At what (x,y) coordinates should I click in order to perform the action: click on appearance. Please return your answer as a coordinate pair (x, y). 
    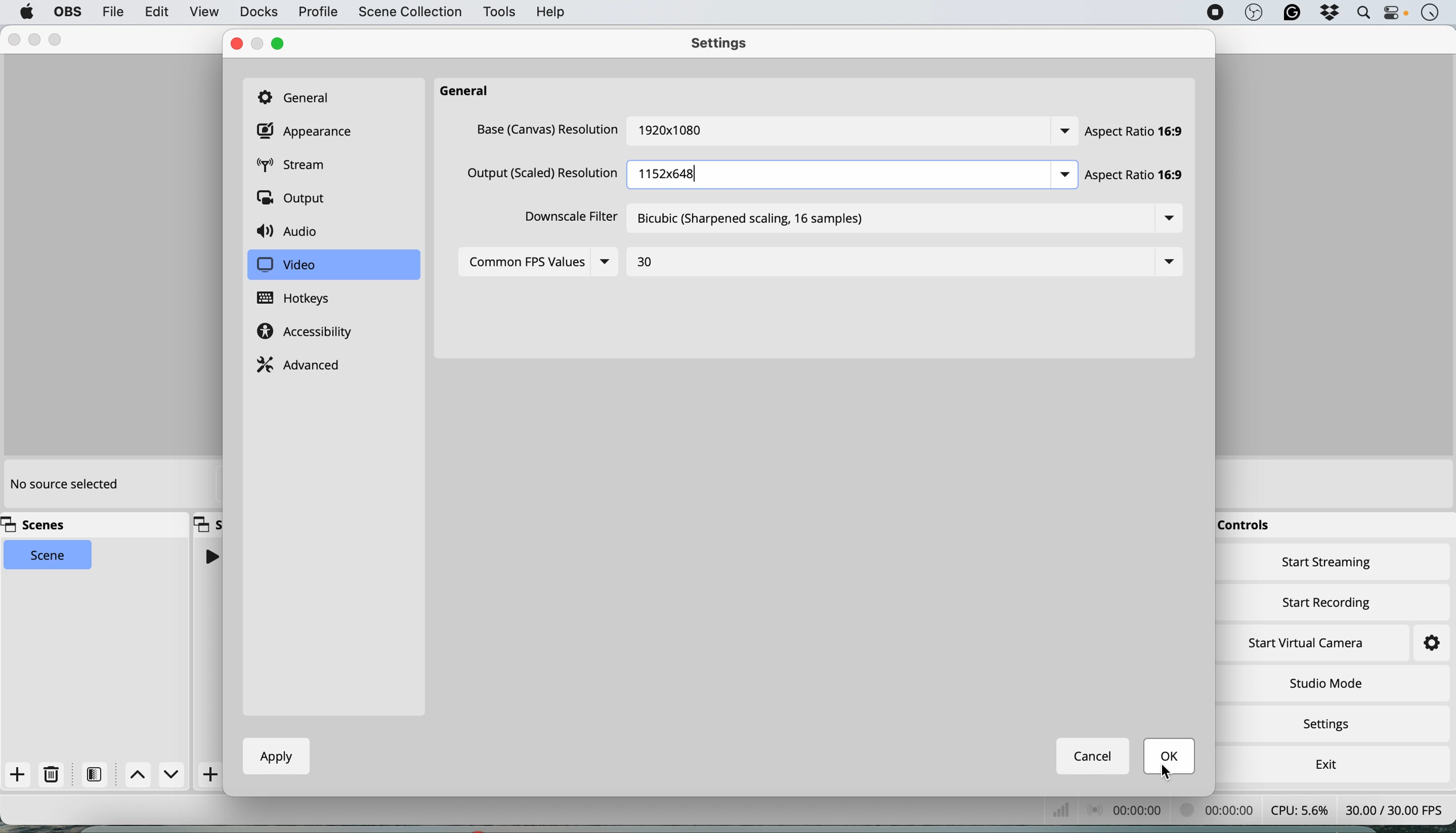
    Looking at the image, I should click on (308, 132).